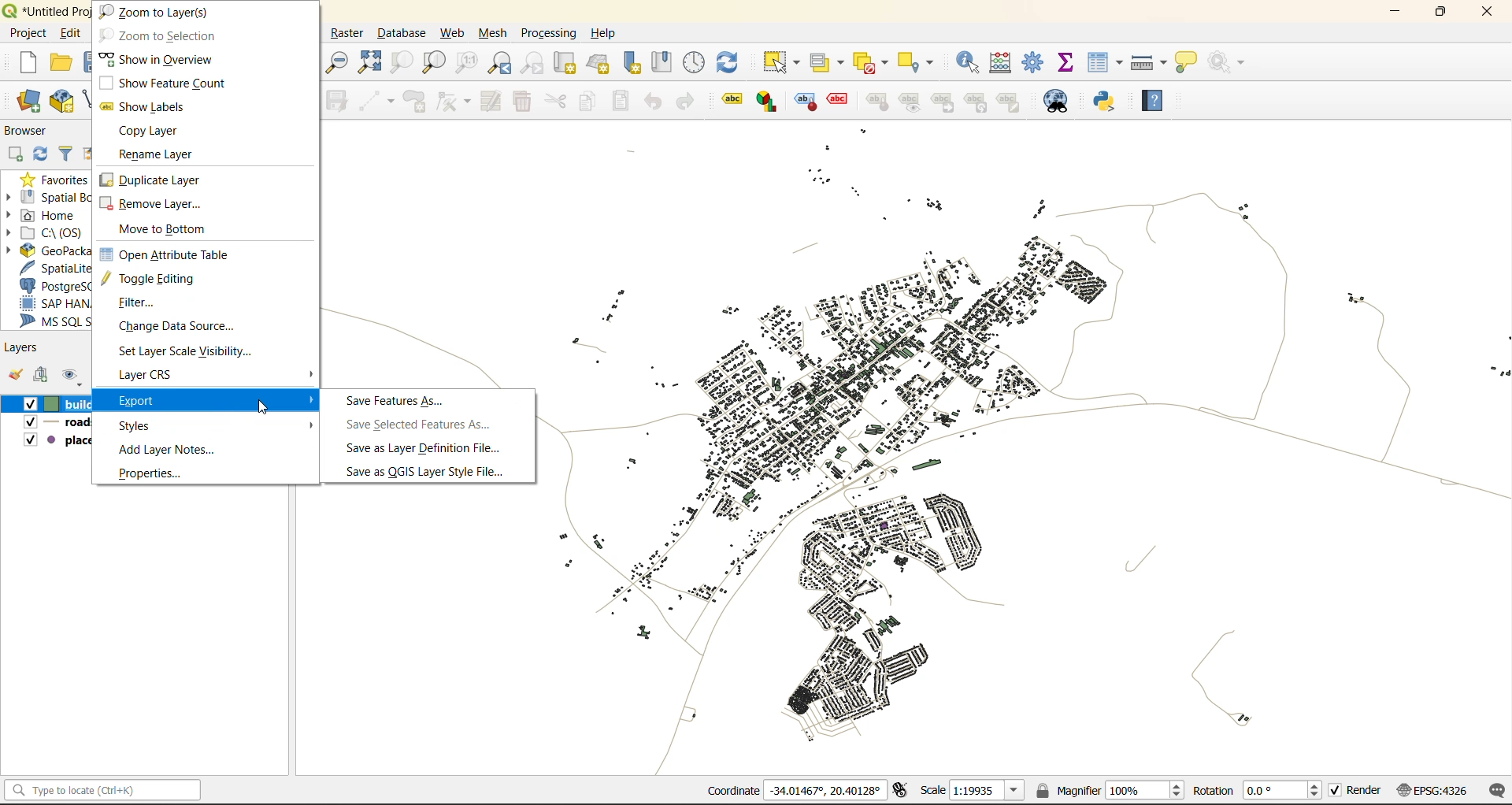  What do you see at coordinates (154, 180) in the screenshot?
I see `duplicate layer` at bounding box center [154, 180].